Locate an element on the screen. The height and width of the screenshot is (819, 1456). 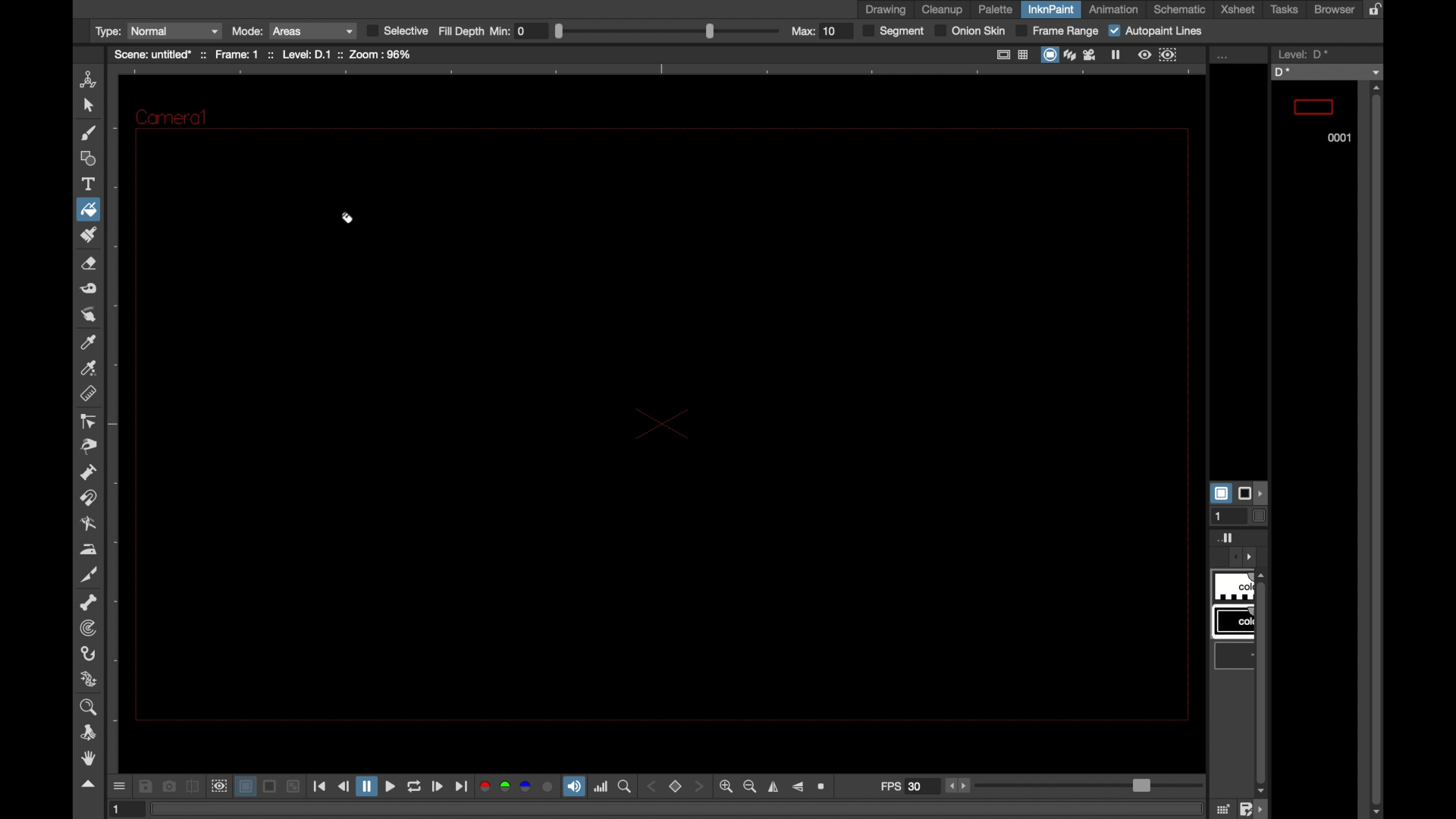
fill cursor is located at coordinates (350, 221).